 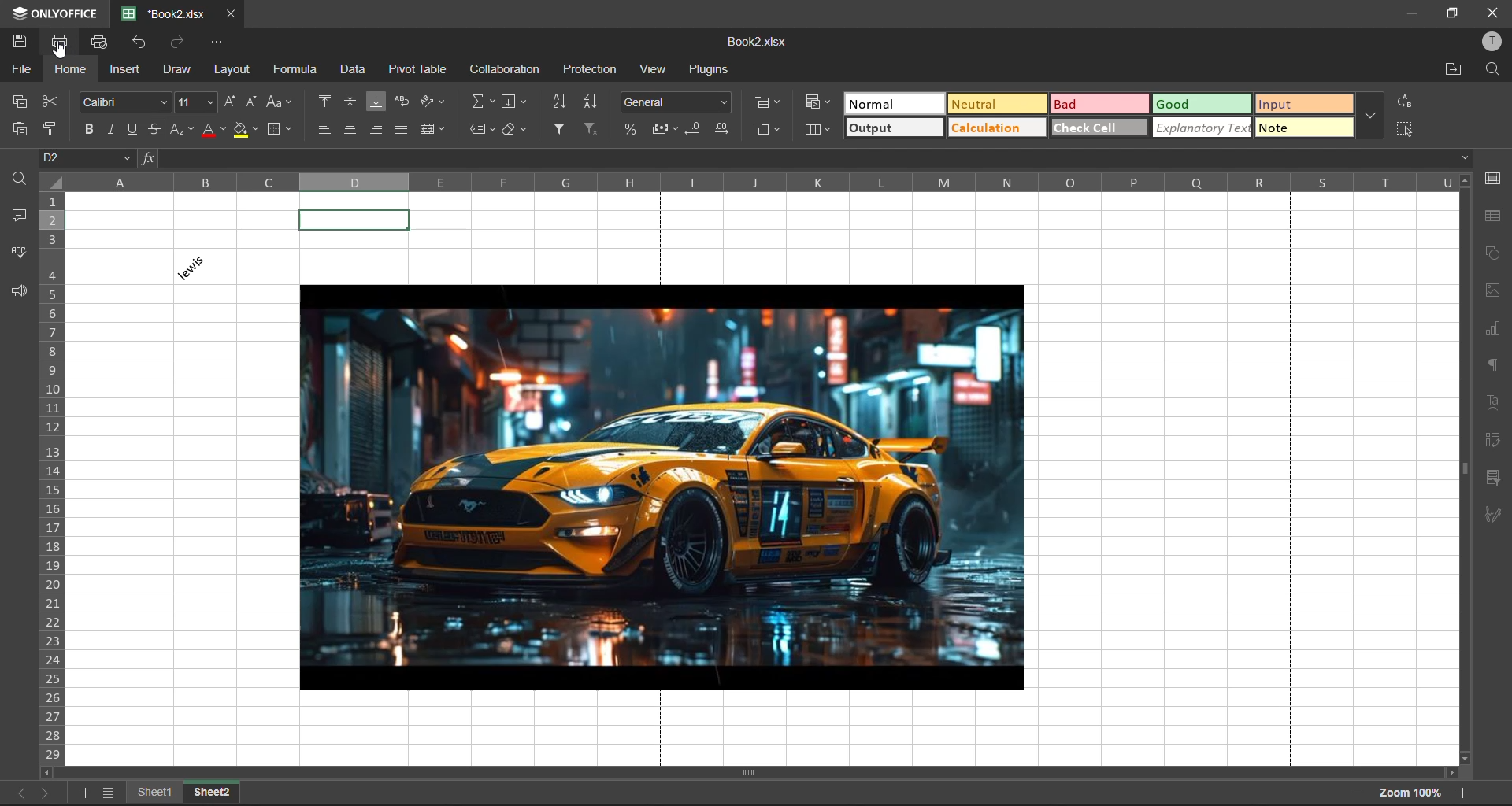 I want to click on maximize, so click(x=1450, y=14).